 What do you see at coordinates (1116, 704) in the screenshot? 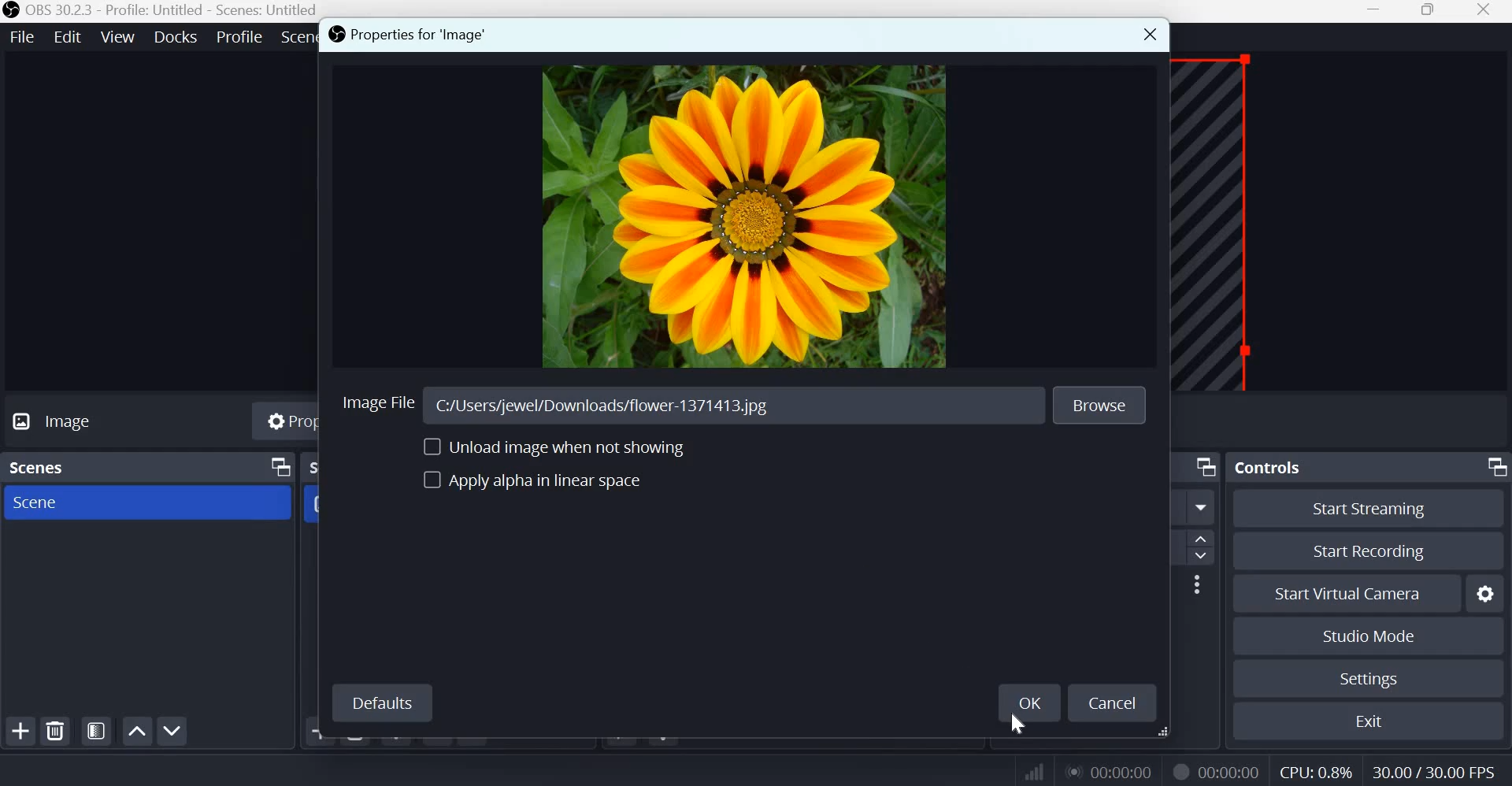
I see `Cancel` at bounding box center [1116, 704].